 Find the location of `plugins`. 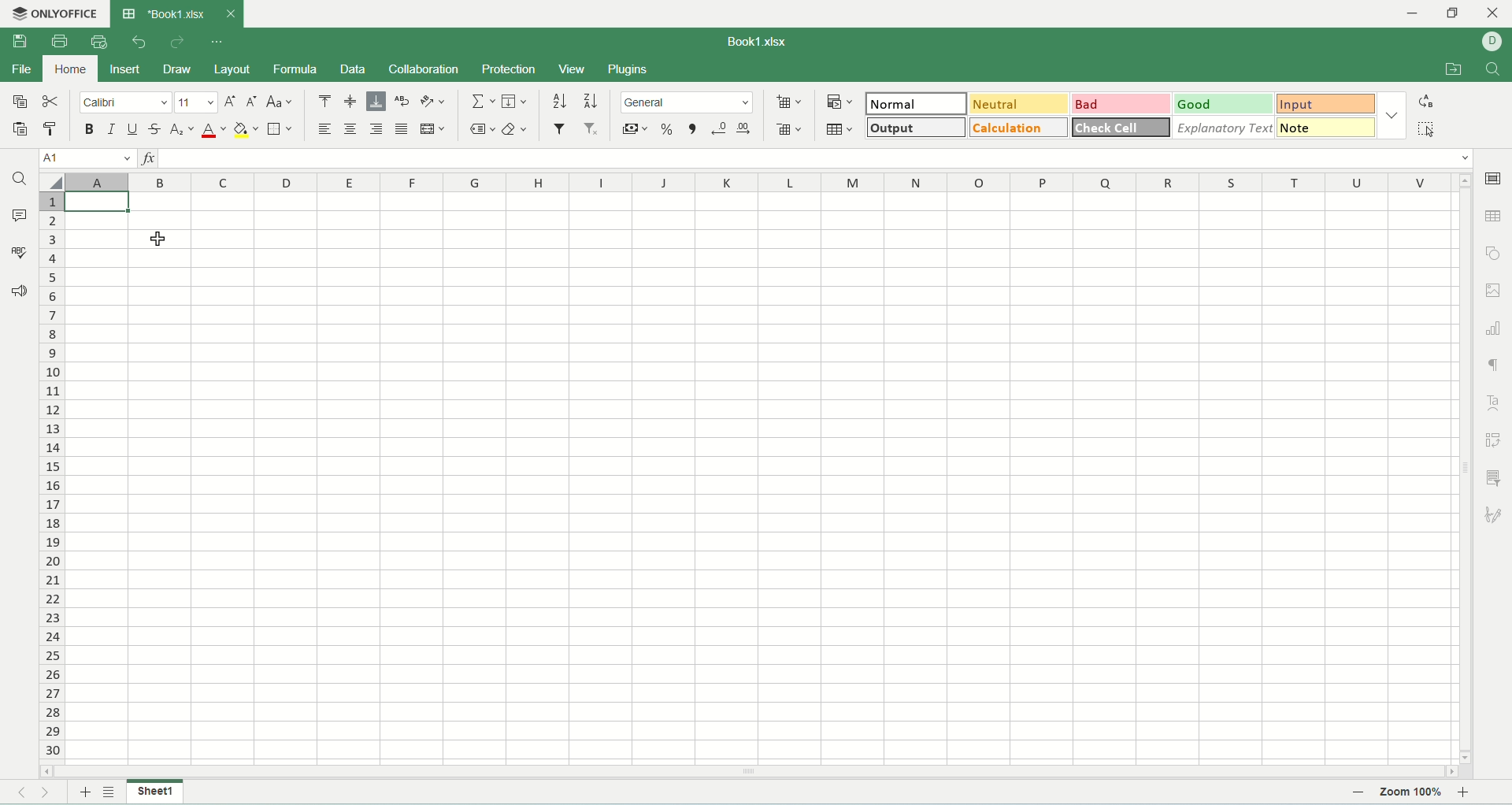

plugins is located at coordinates (628, 70).